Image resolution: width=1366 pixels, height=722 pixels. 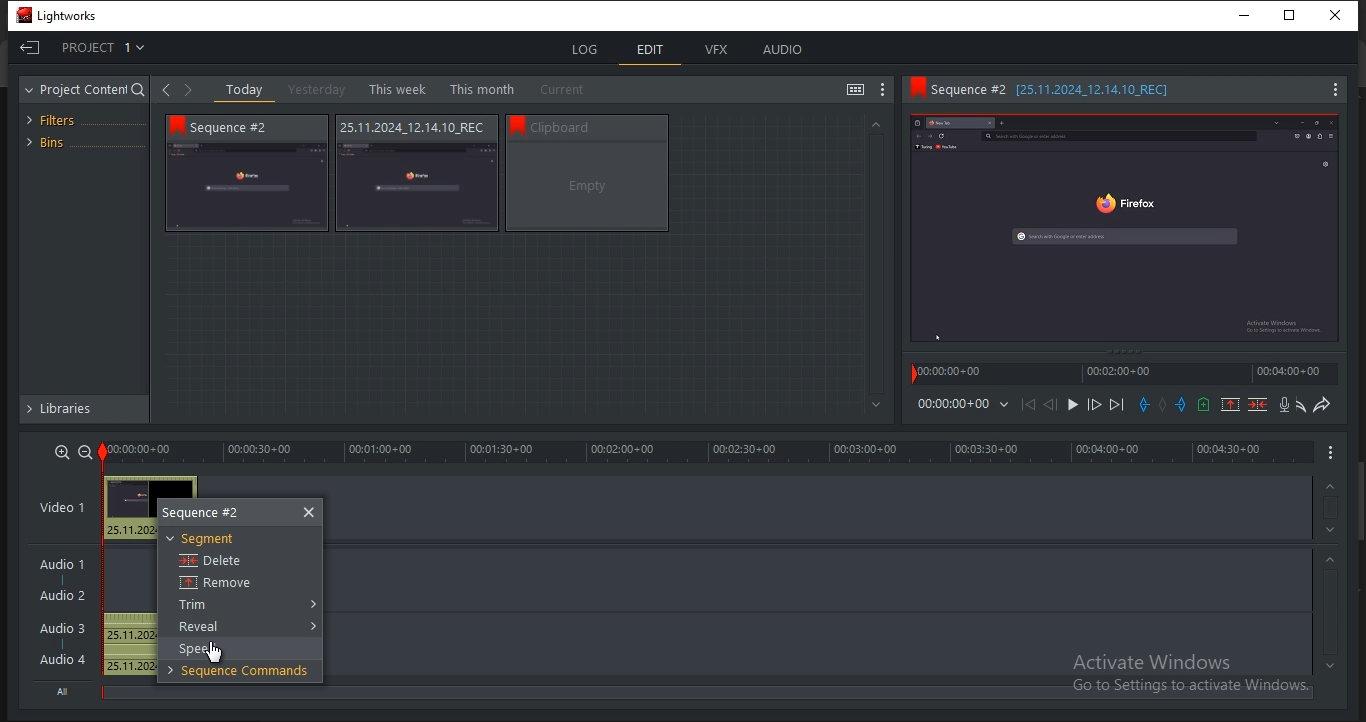 What do you see at coordinates (90, 49) in the screenshot?
I see `project 1` at bounding box center [90, 49].